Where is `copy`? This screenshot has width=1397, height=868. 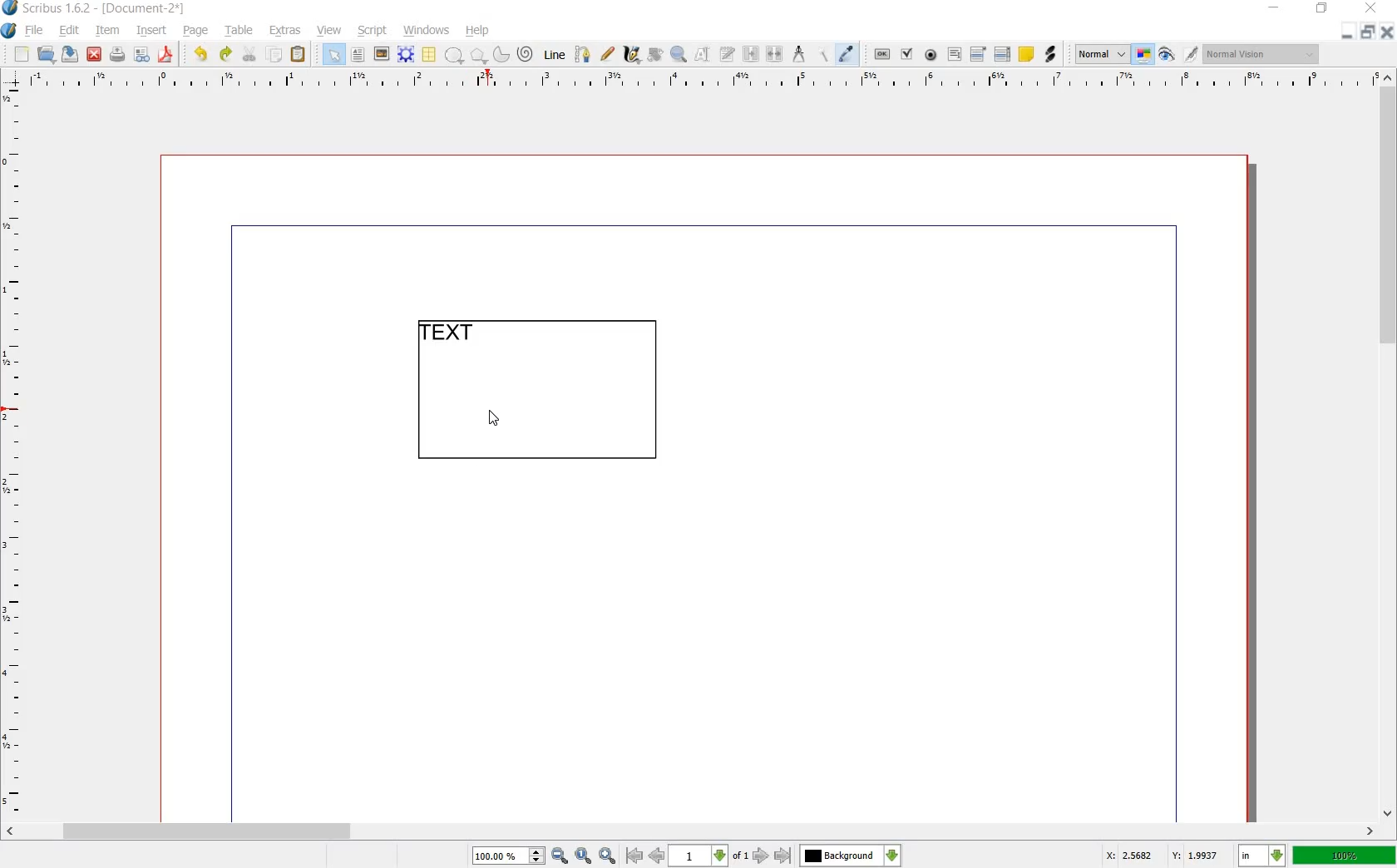 copy is located at coordinates (275, 55).